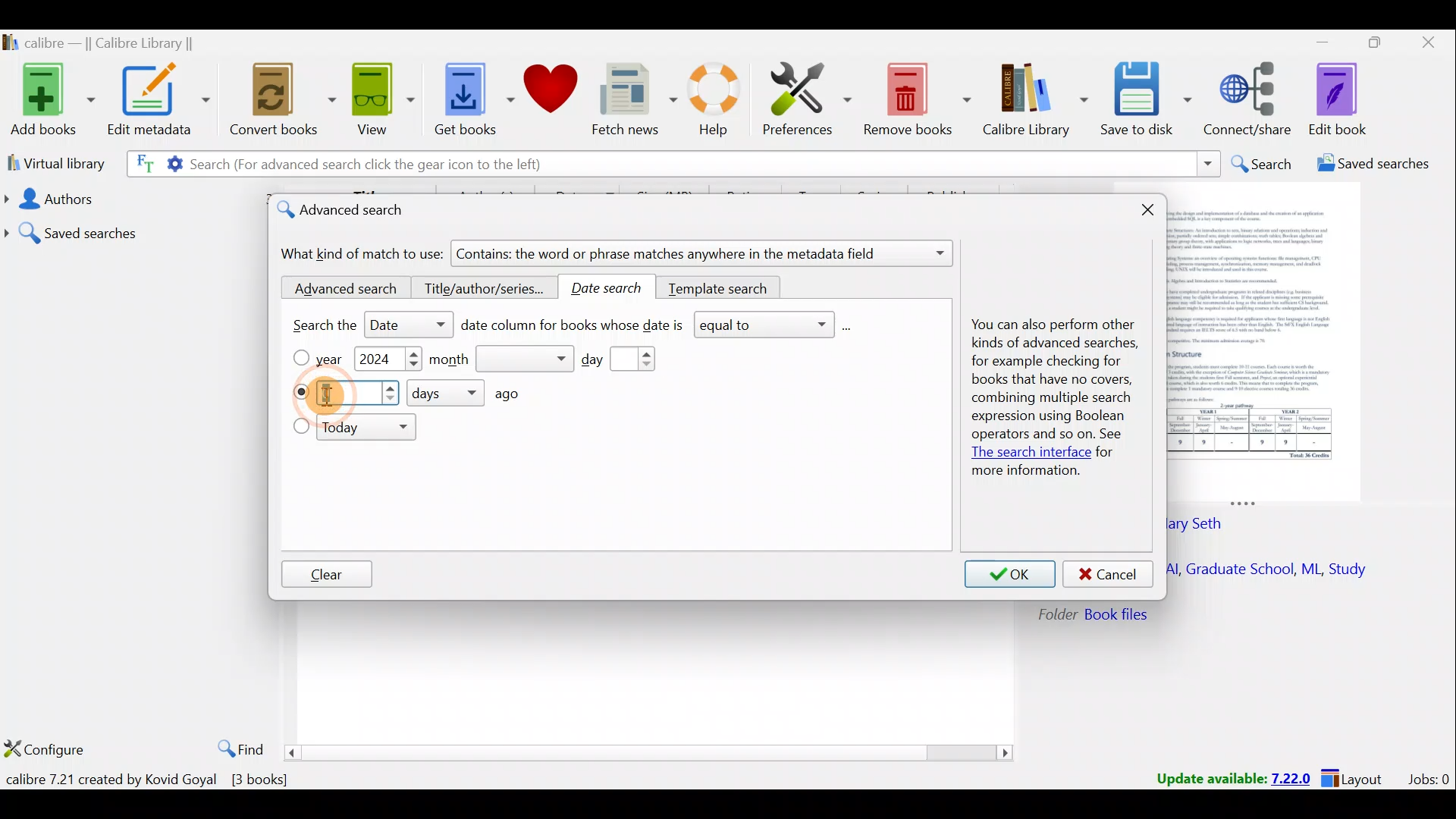 The image size is (1456, 819). What do you see at coordinates (883, 163) in the screenshot?
I see `Search bar` at bounding box center [883, 163].